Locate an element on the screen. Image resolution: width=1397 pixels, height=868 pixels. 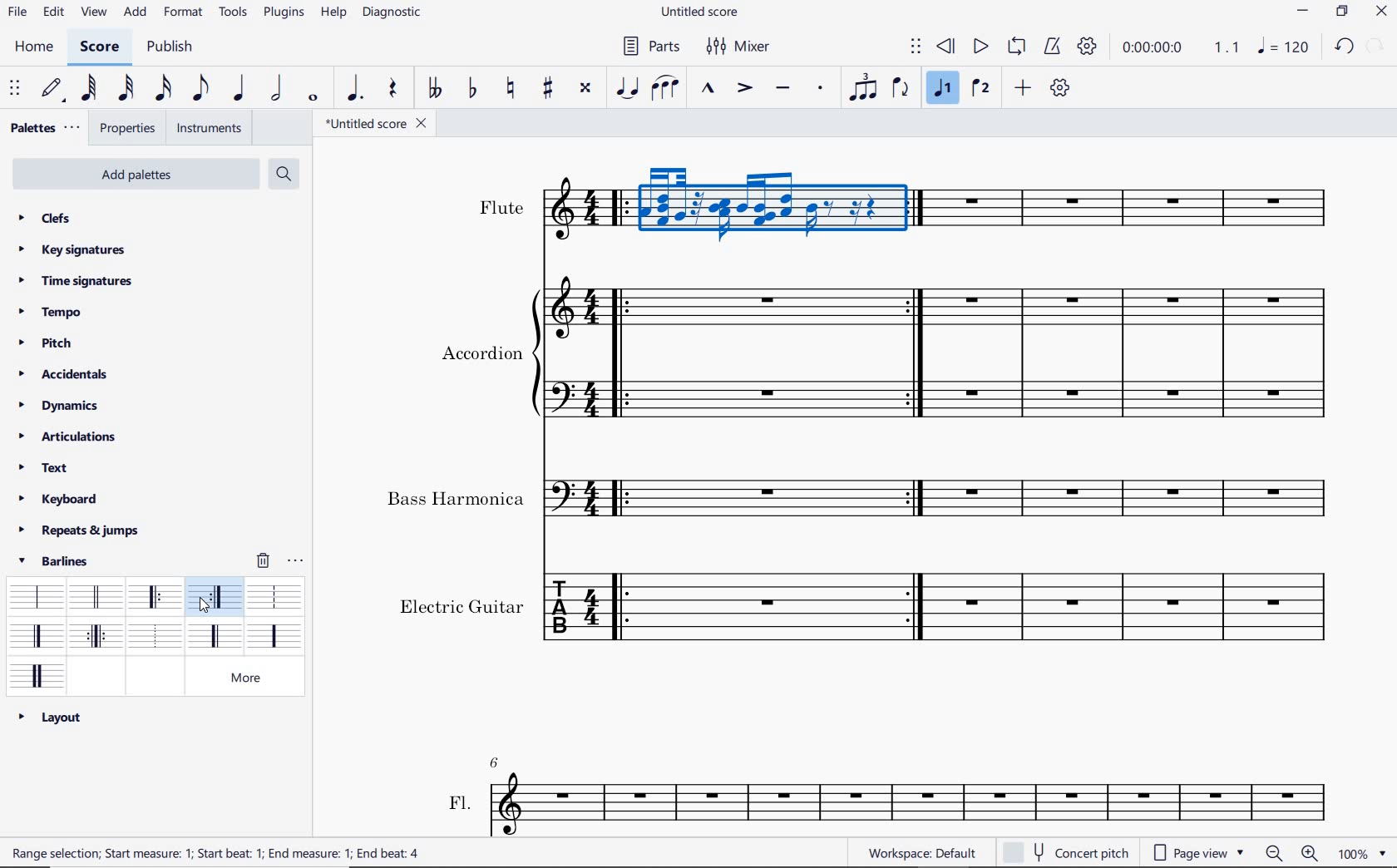
ZOOM FACTOR is located at coordinates (1361, 854).